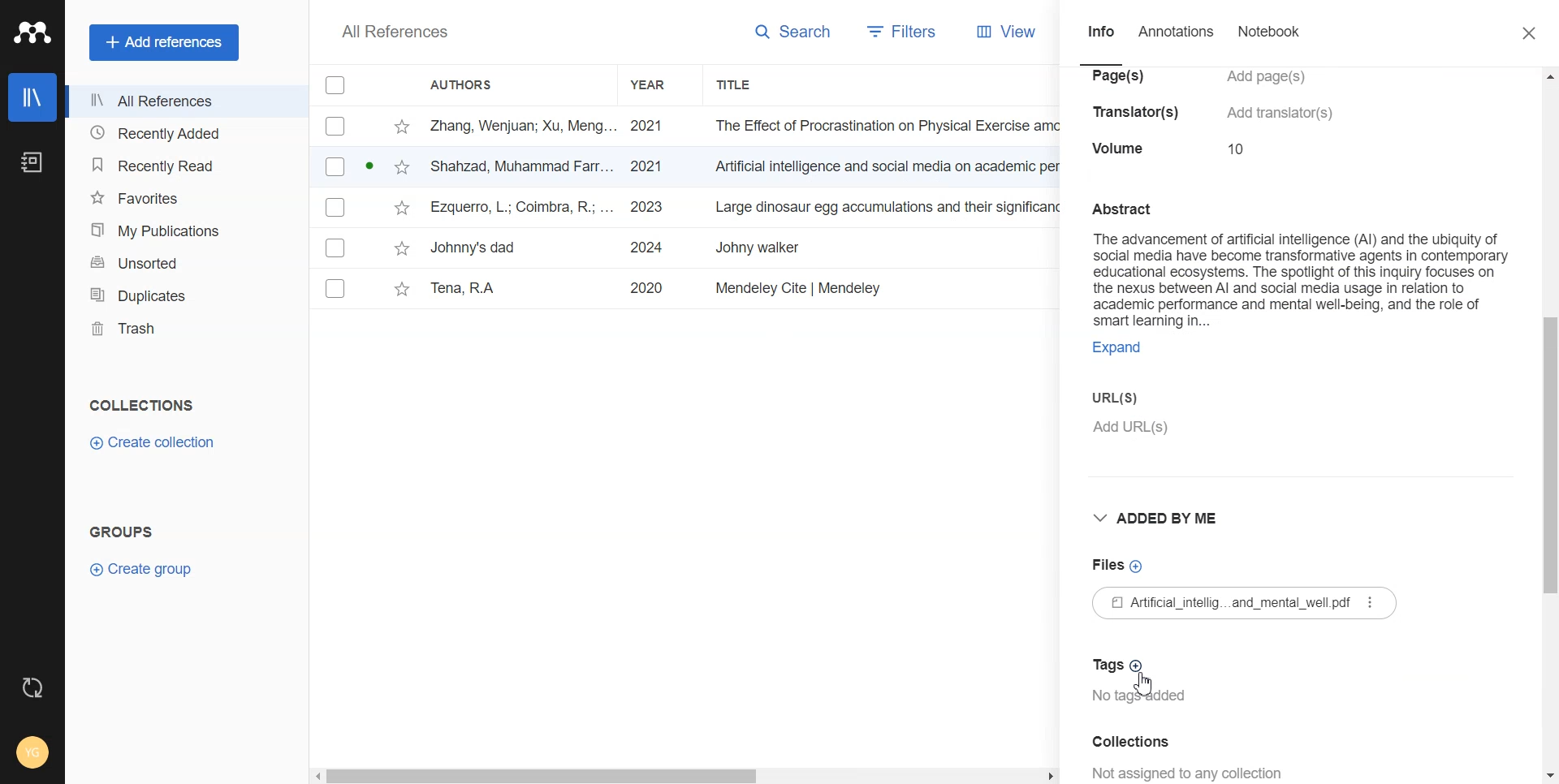 The height and width of the screenshot is (784, 1559). What do you see at coordinates (786, 34) in the screenshot?
I see `Search` at bounding box center [786, 34].